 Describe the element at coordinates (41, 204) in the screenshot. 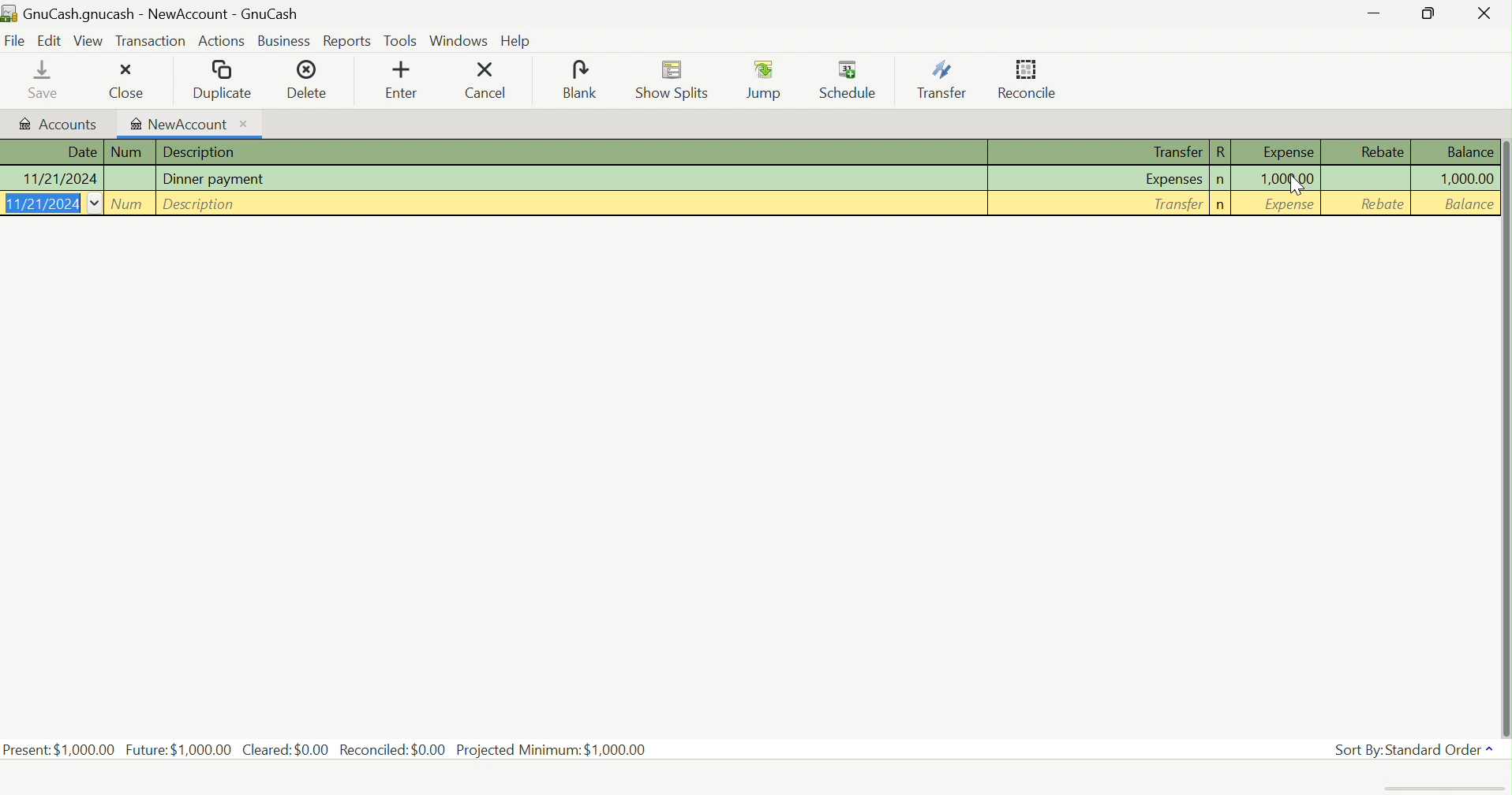

I see `11/21/2024` at that location.